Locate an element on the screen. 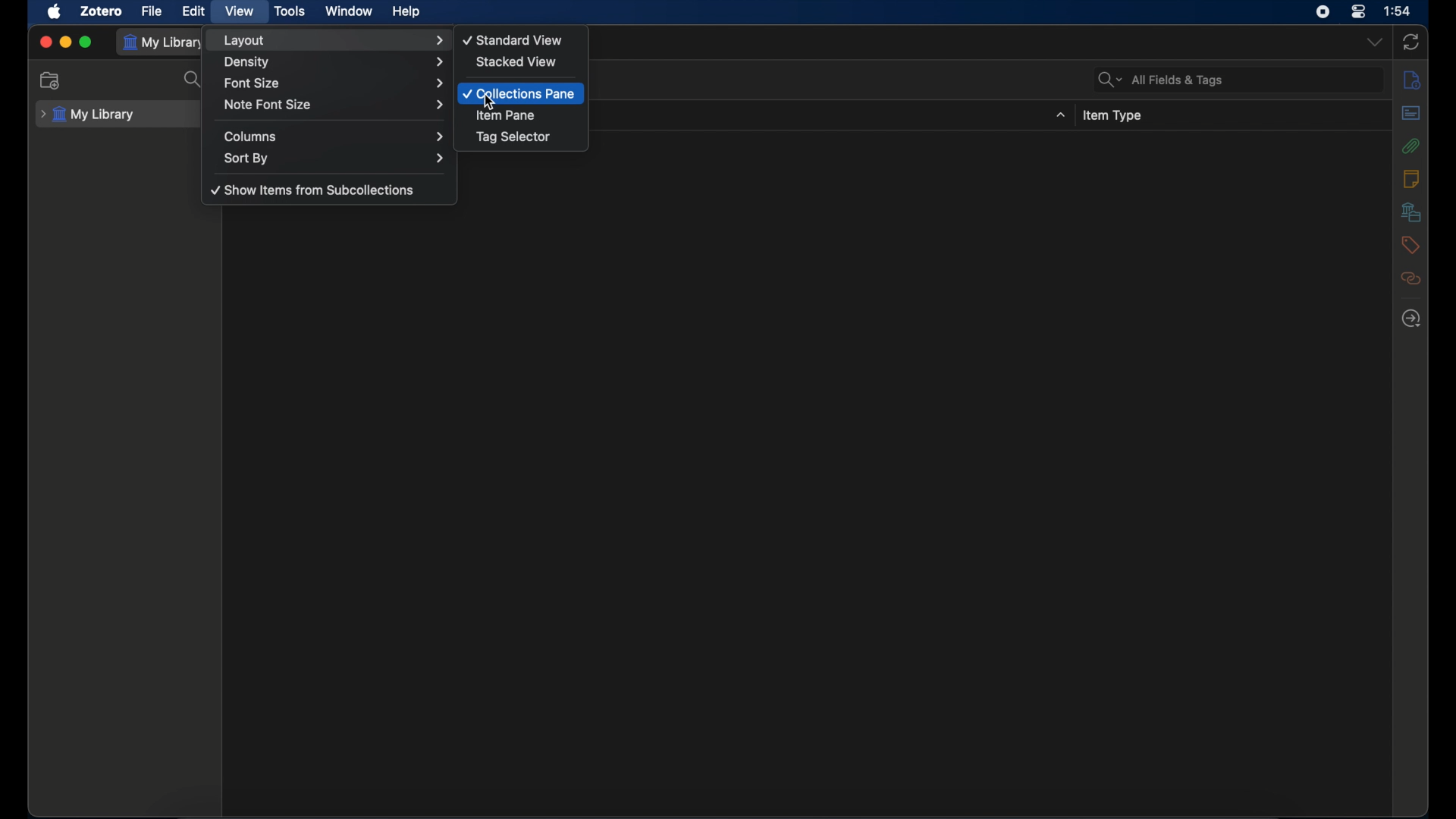  abstract is located at coordinates (1412, 114).